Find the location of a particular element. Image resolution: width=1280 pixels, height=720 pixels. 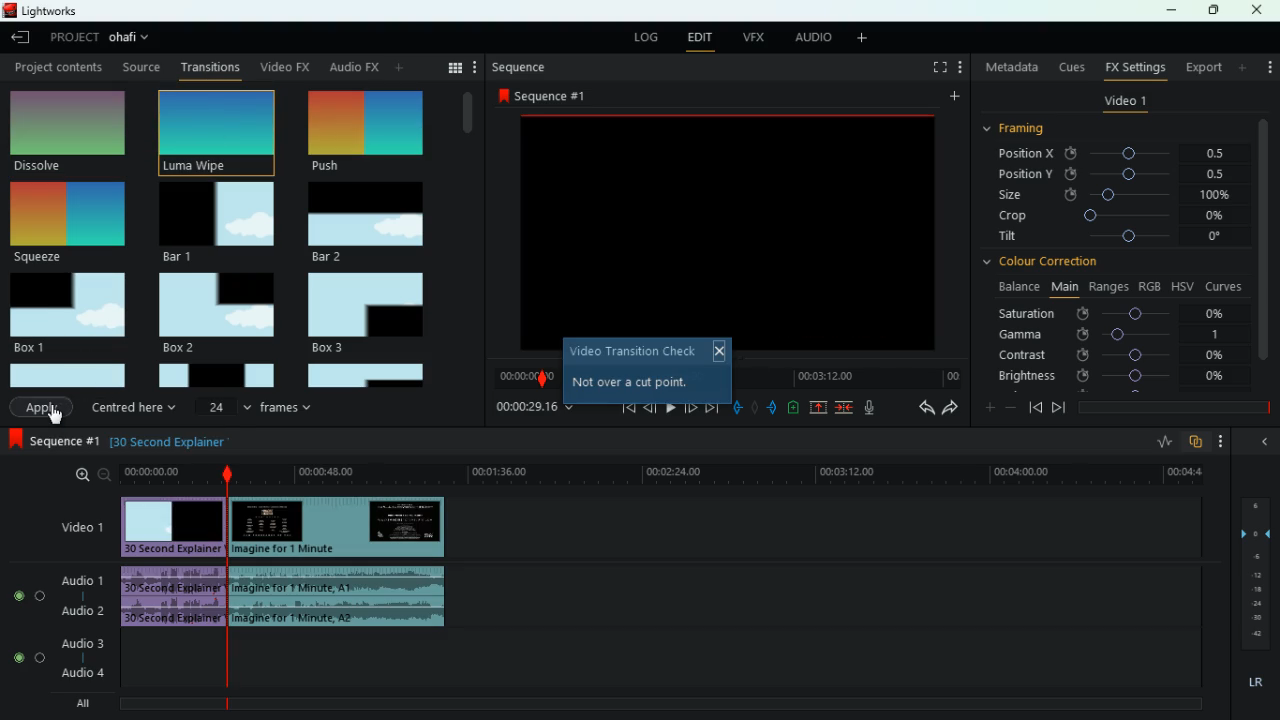

beggining is located at coordinates (623, 409).